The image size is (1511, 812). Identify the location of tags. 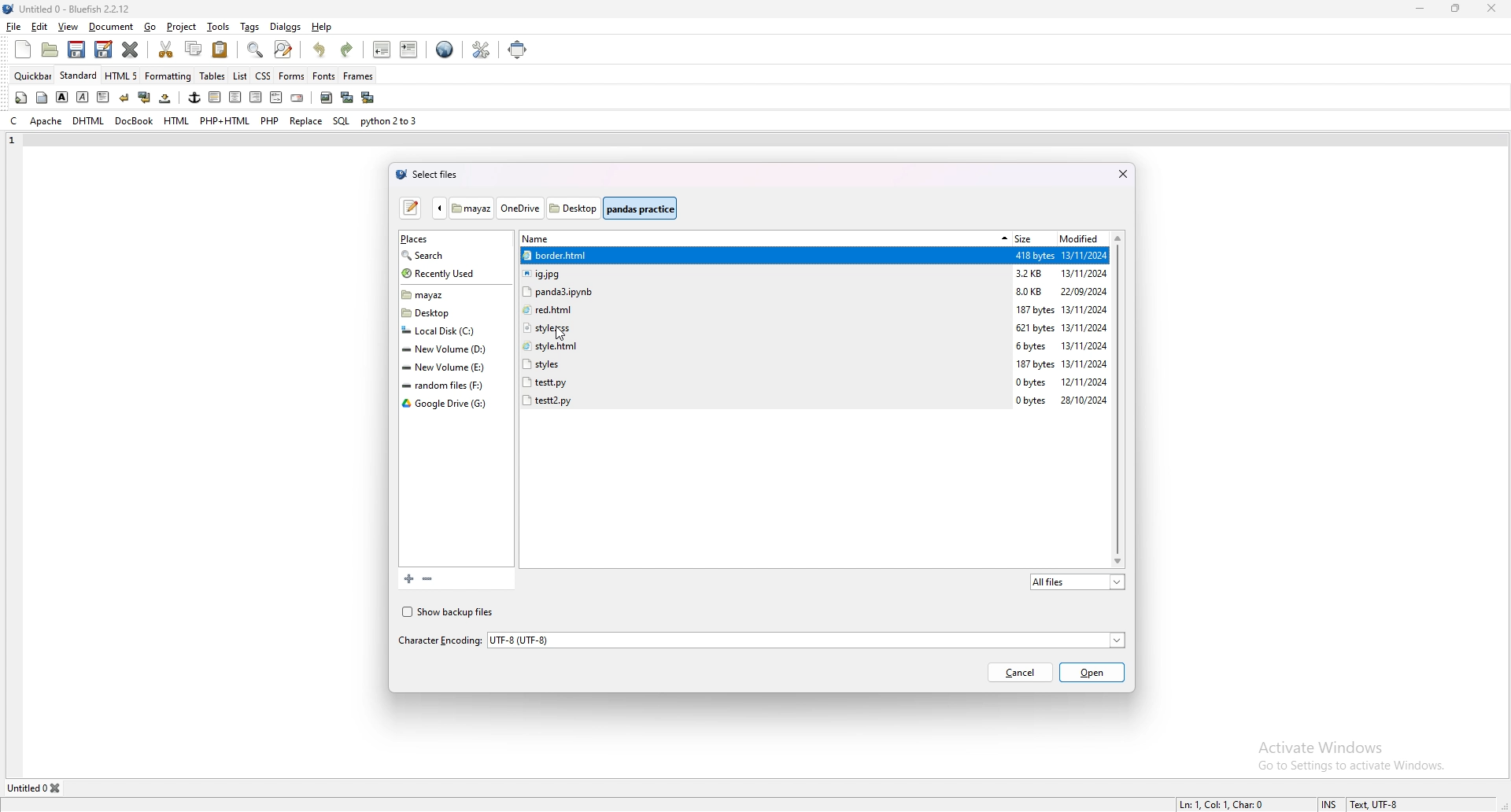
(250, 26).